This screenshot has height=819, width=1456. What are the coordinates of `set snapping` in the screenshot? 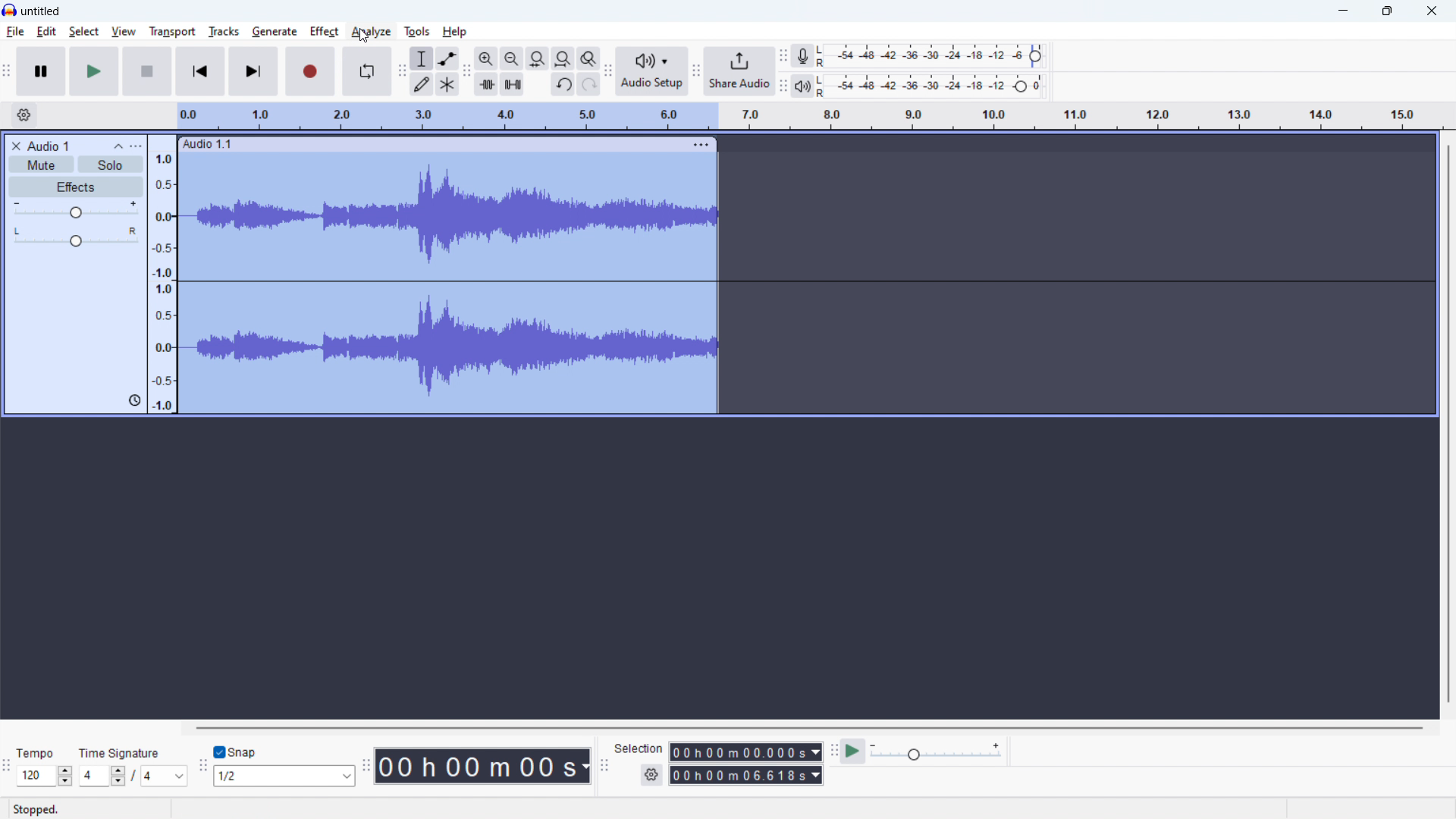 It's located at (284, 776).